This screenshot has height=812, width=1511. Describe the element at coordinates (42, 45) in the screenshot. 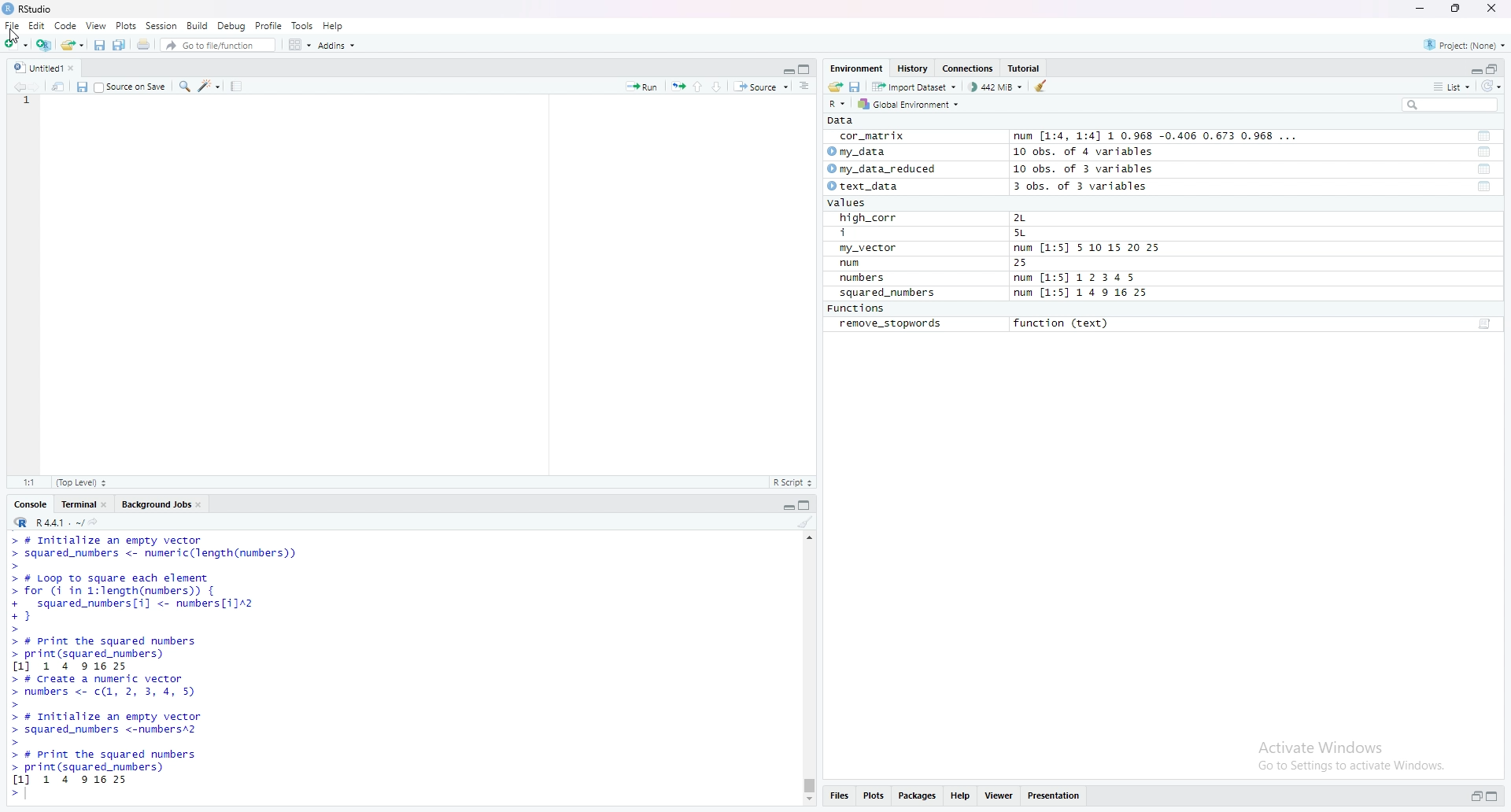

I see `Create a Project` at that location.